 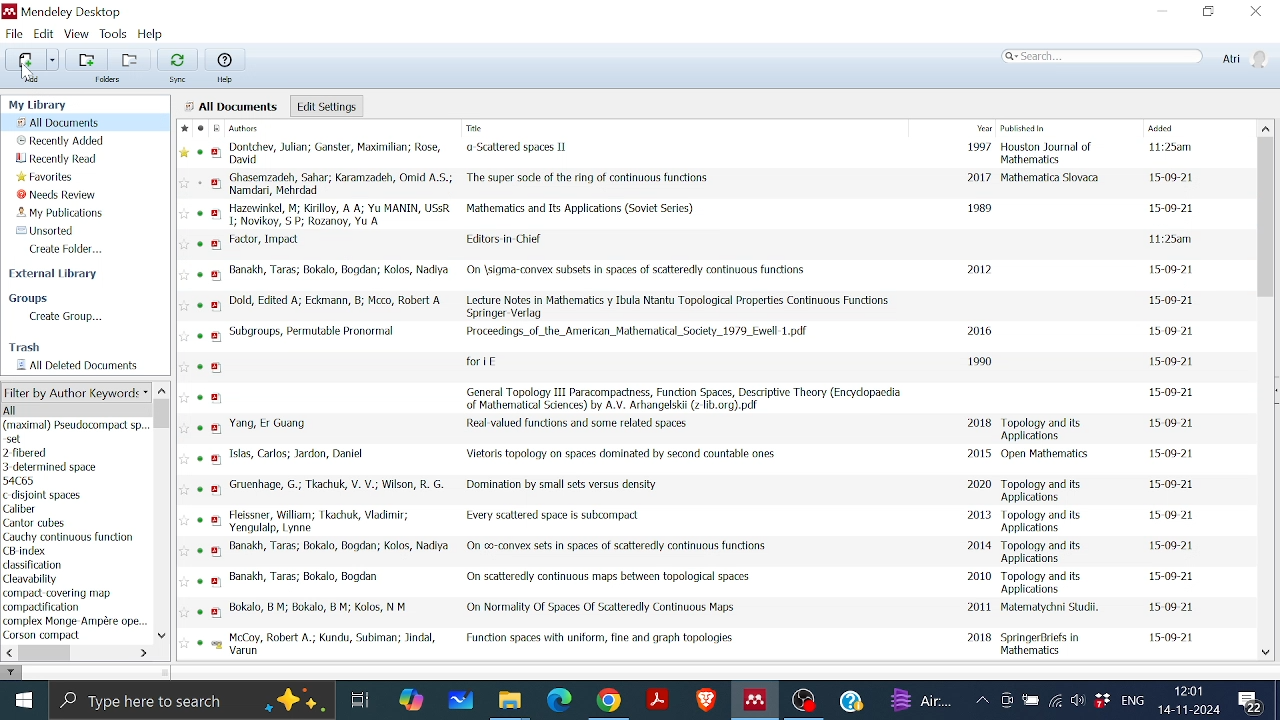 What do you see at coordinates (1052, 608) in the screenshot?
I see `Published in` at bounding box center [1052, 608].